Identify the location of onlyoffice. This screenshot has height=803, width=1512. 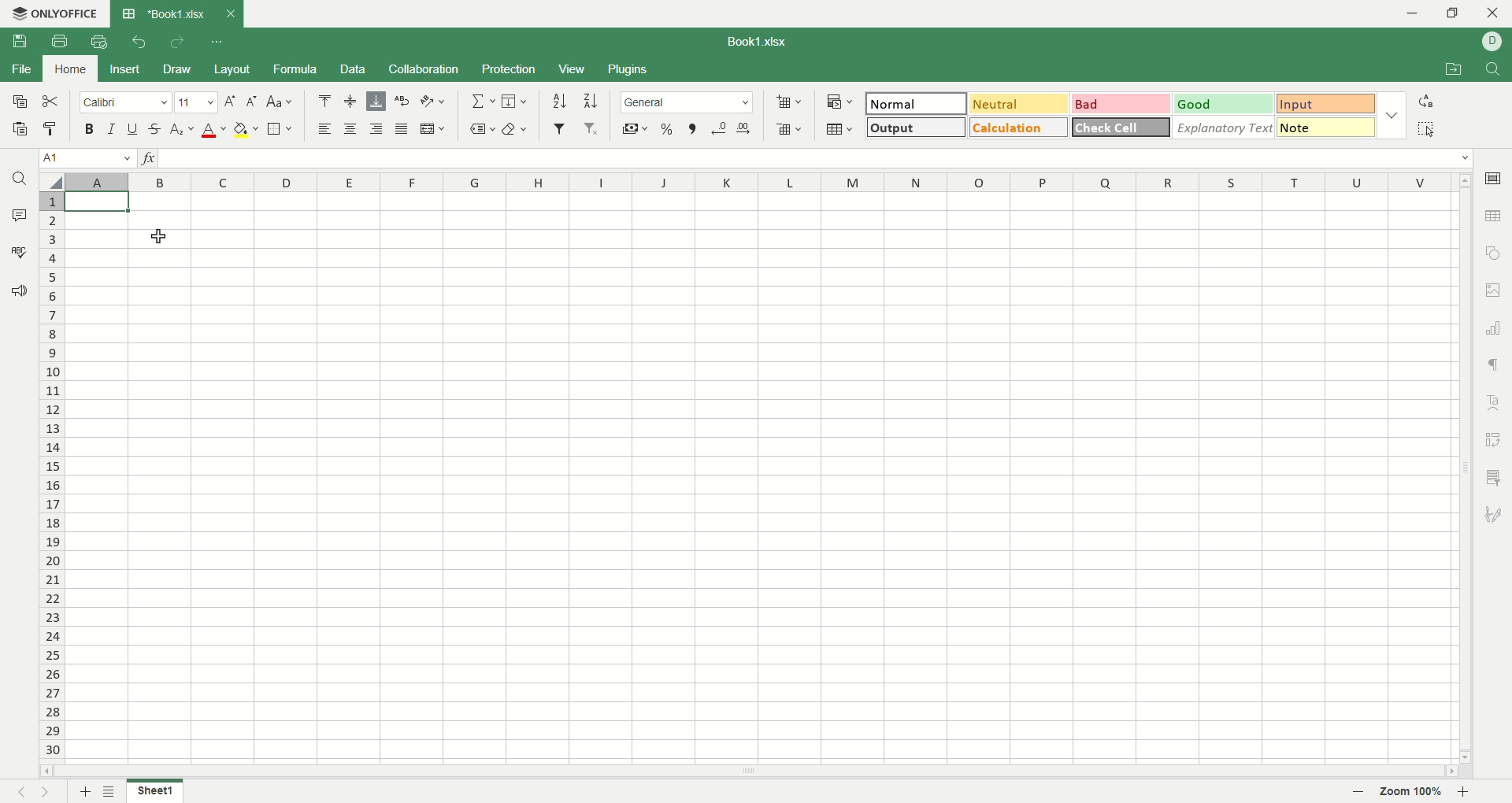
(53, 13).